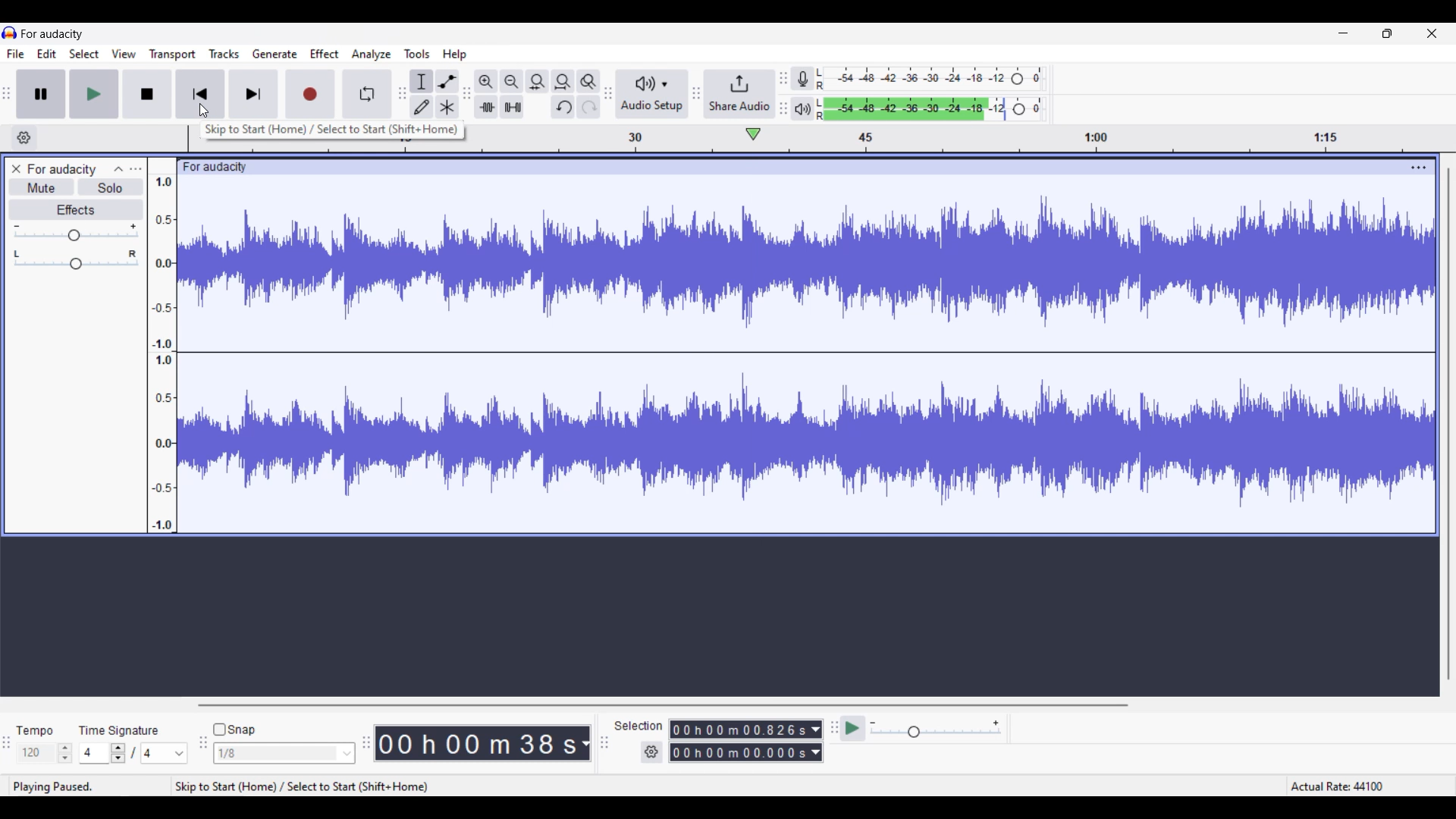 The height and width of the screenshot is (819, 1456). What do you see at coordinates (172, 55) in the screenshot?
I see `Transport menu` at bounding box center [172, 55].